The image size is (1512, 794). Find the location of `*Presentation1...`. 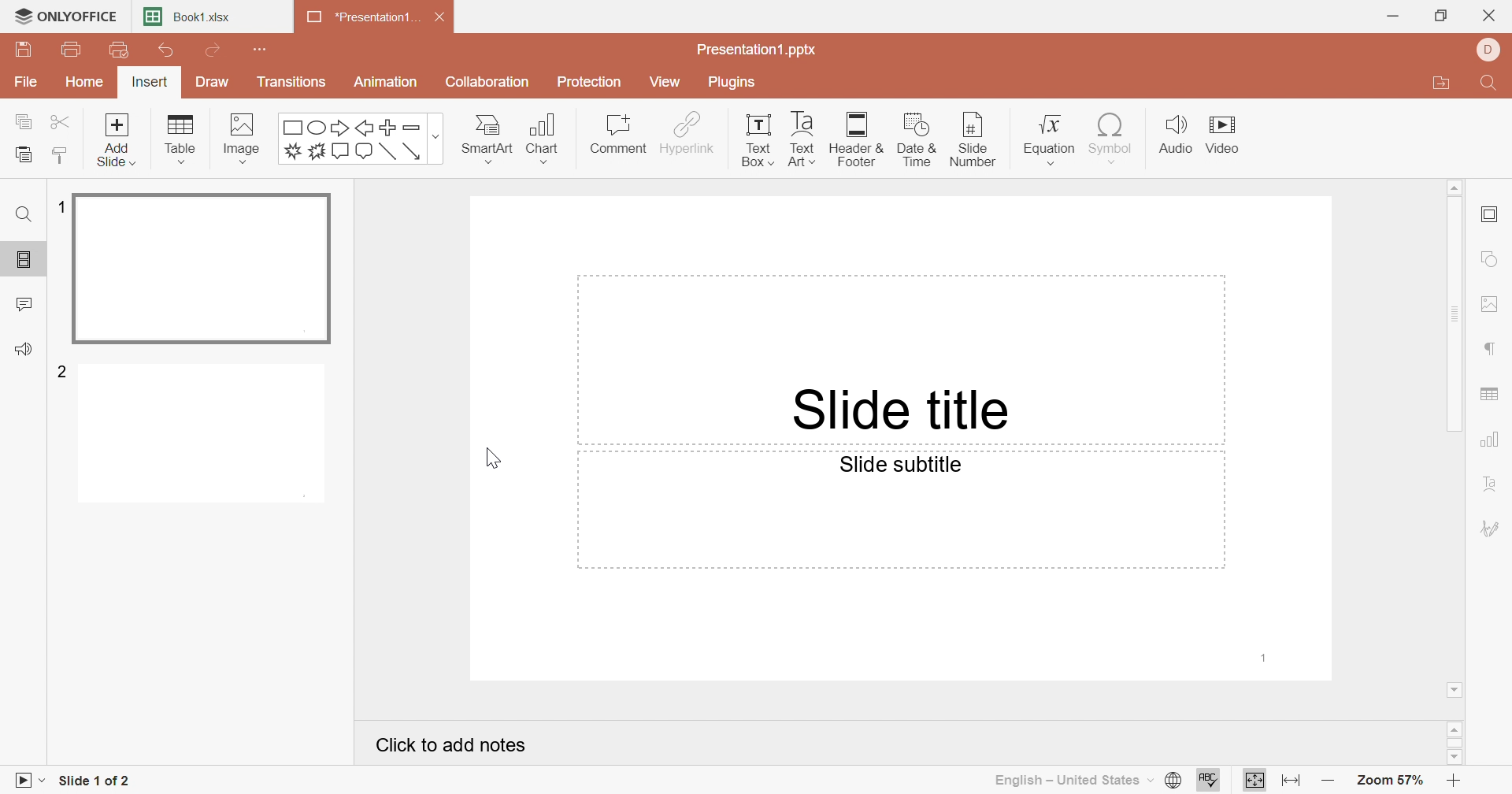

*Presentation1... is located at coordinates (358, 19).